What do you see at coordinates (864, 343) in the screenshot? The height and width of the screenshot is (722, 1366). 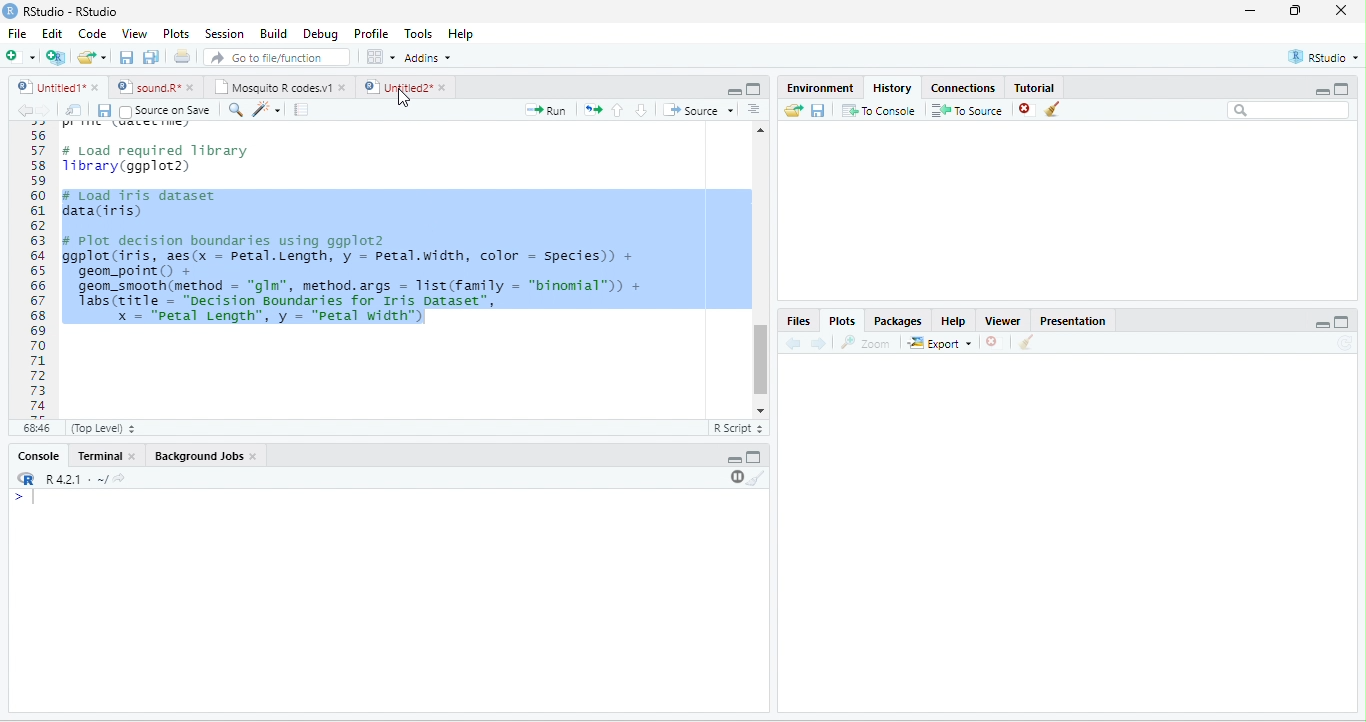 I see `Zoom` at bounding box center [864, 343].